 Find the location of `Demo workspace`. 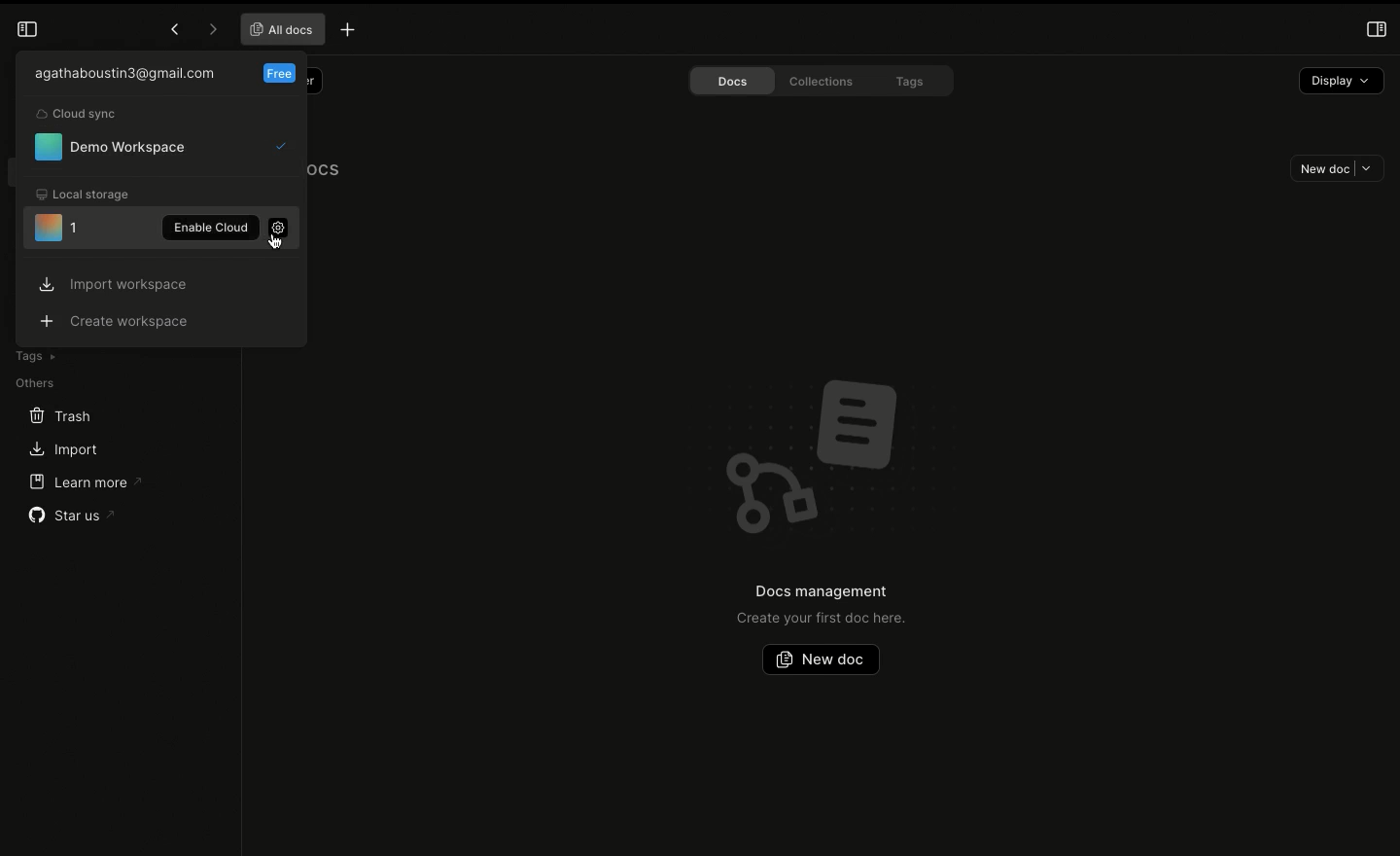

Demo workspace is located at coordinates (165, 150).